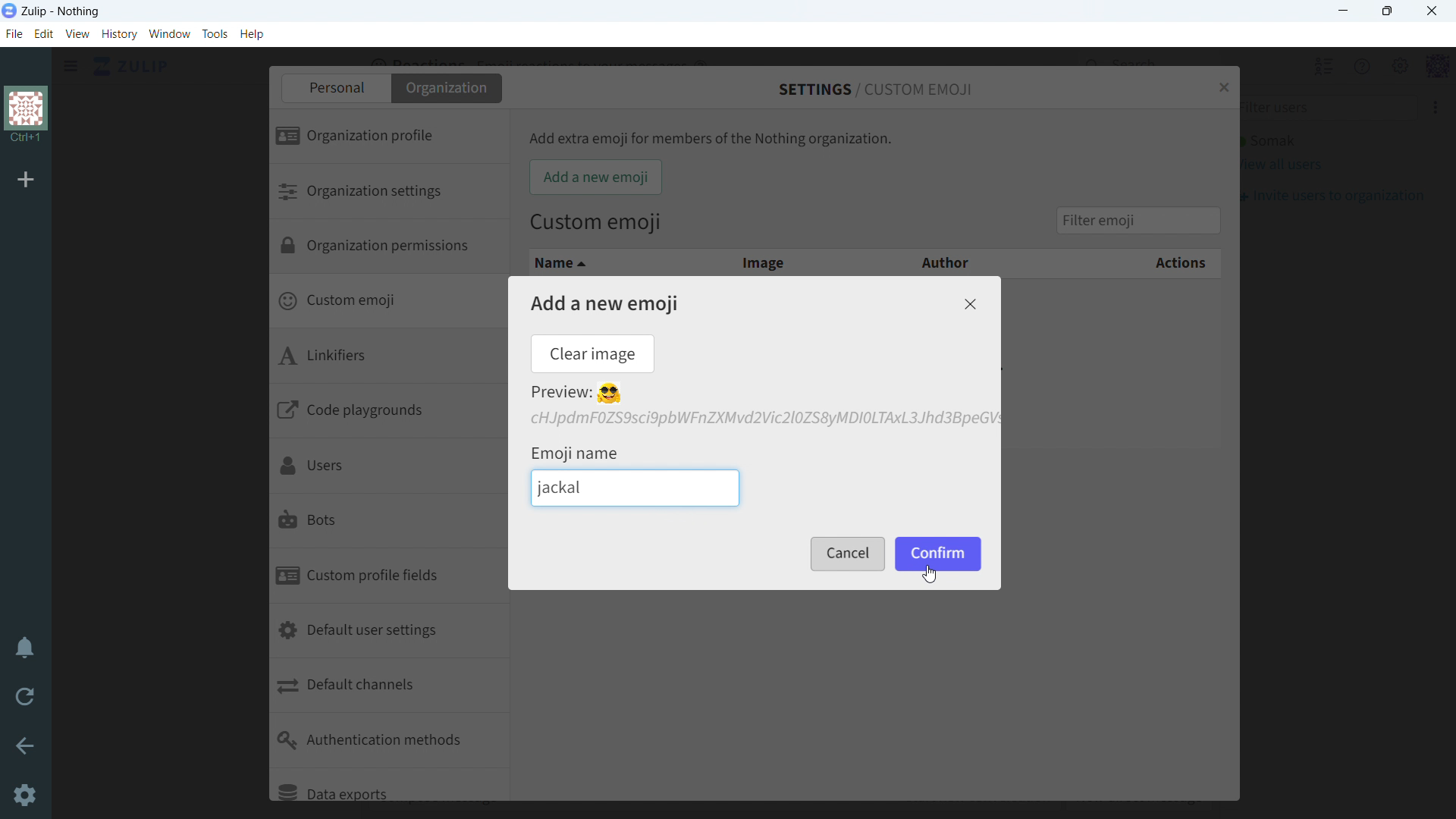 The width and height of the screenshot is (1456, 819). Describe the element at coordinates (1323, 108) in the screenshot. I see `filter users` at that location.